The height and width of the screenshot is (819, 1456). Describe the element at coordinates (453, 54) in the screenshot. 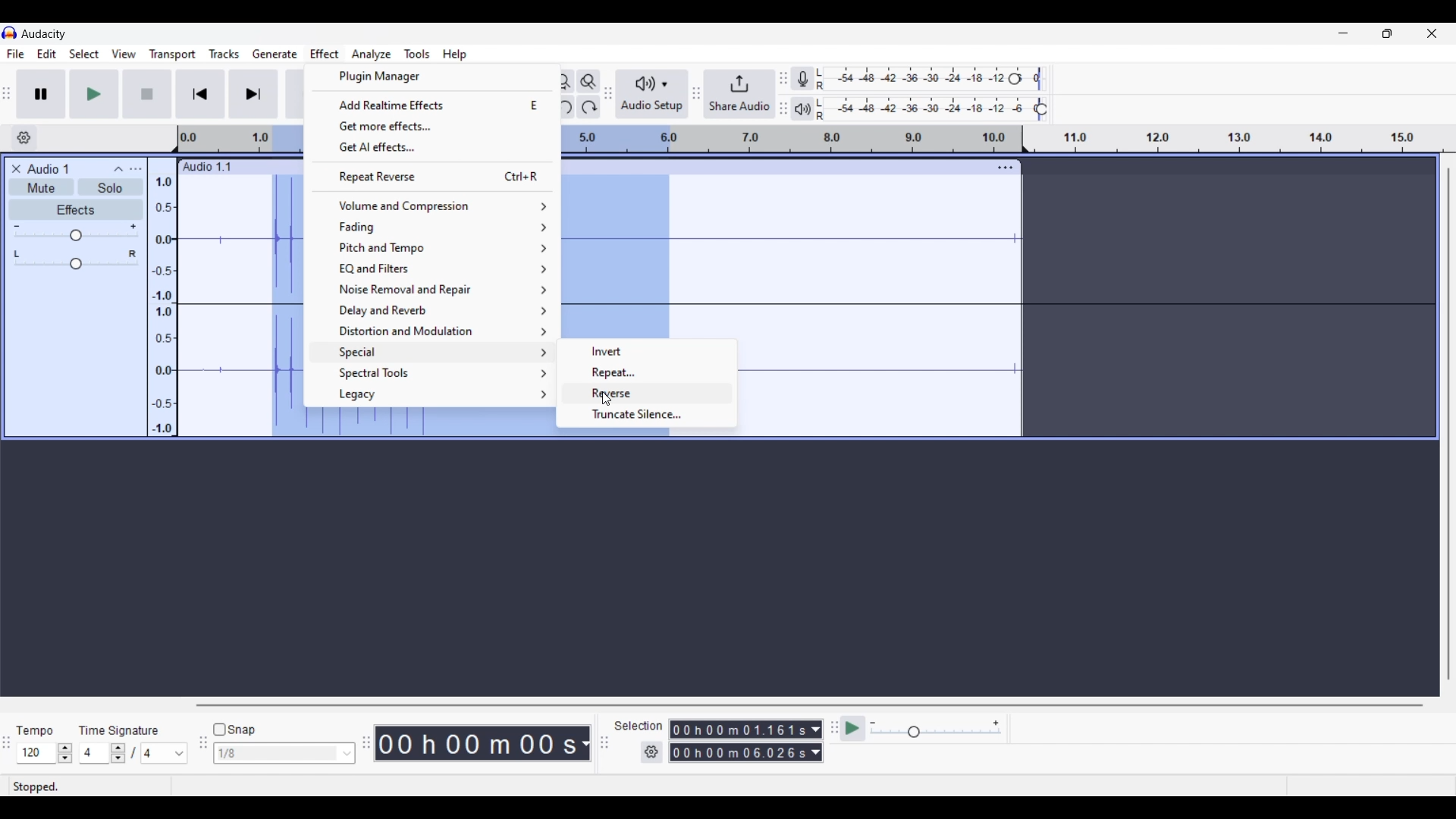

I see `Help menu` at that location.